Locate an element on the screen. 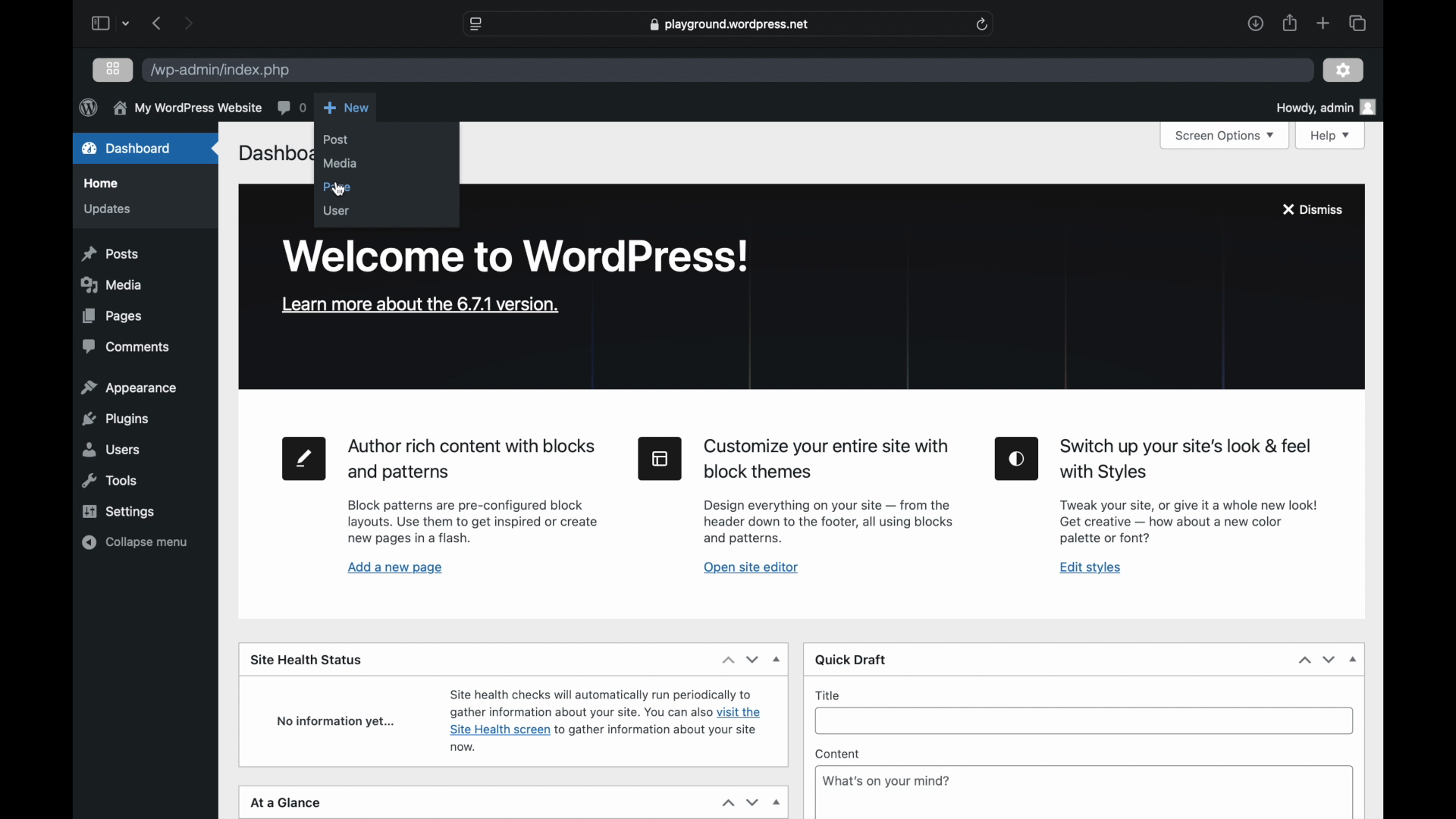 This screenshot has width=1456, height=819. collapse menu is located at coordinates (136, 543).